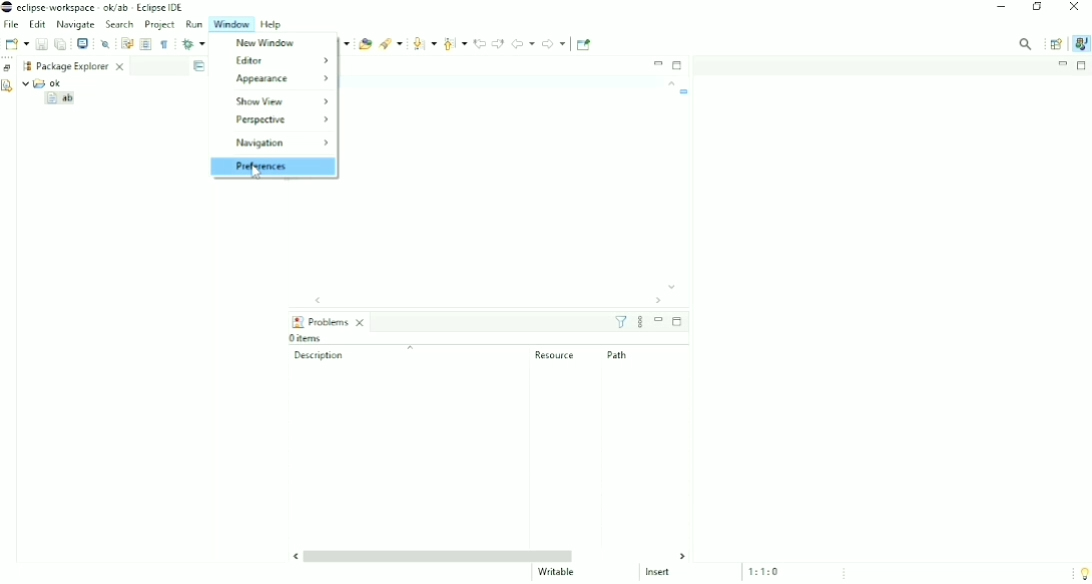 The width and height of the screenshot is (1092, 584). What do you see at coordinates (1083, 66) in the screenshot?
I see `Maximize` at bounding box center [1083, 66].